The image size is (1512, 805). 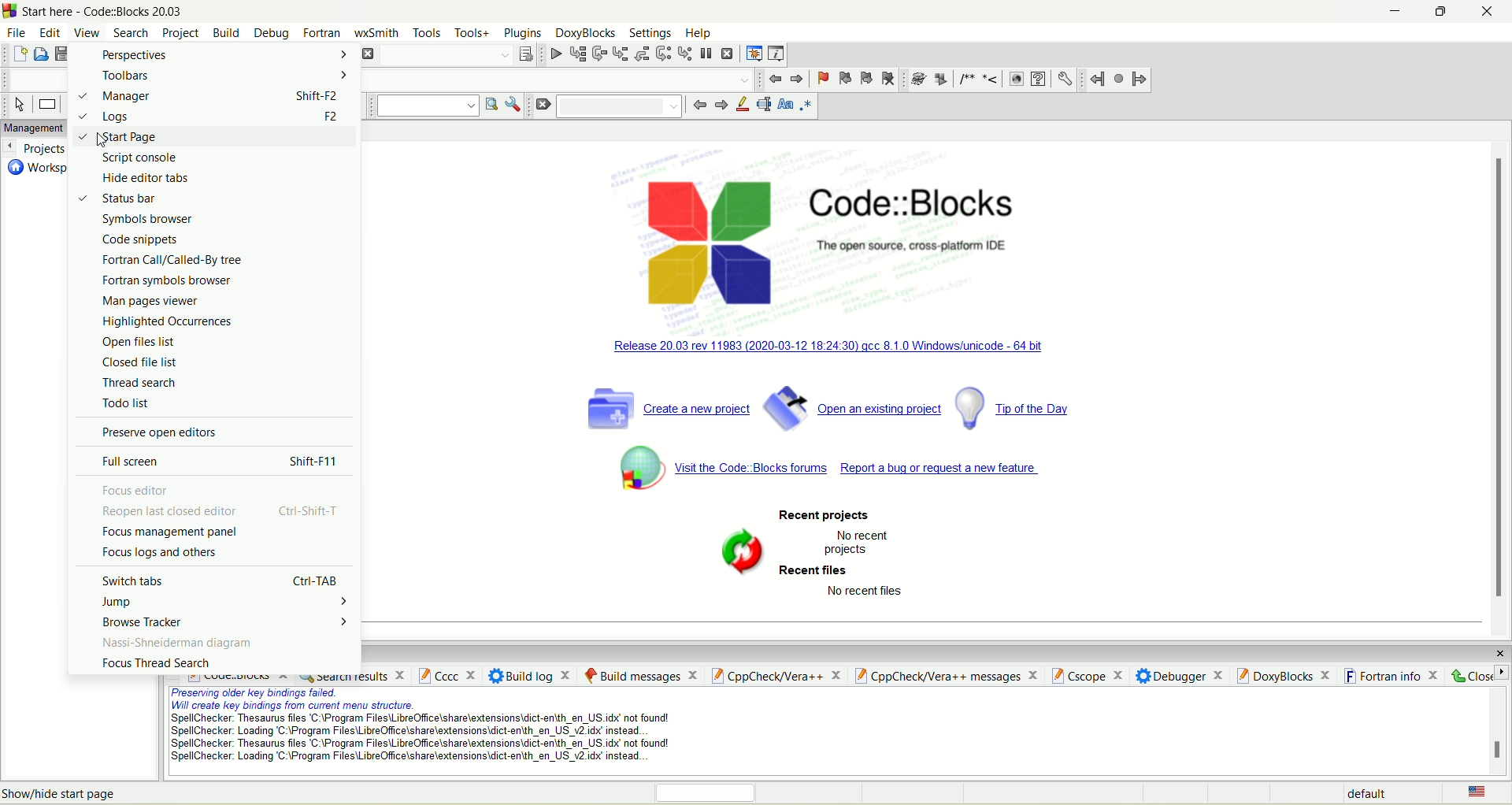 I want to click on browse tracker, so click(x=224, y=623).